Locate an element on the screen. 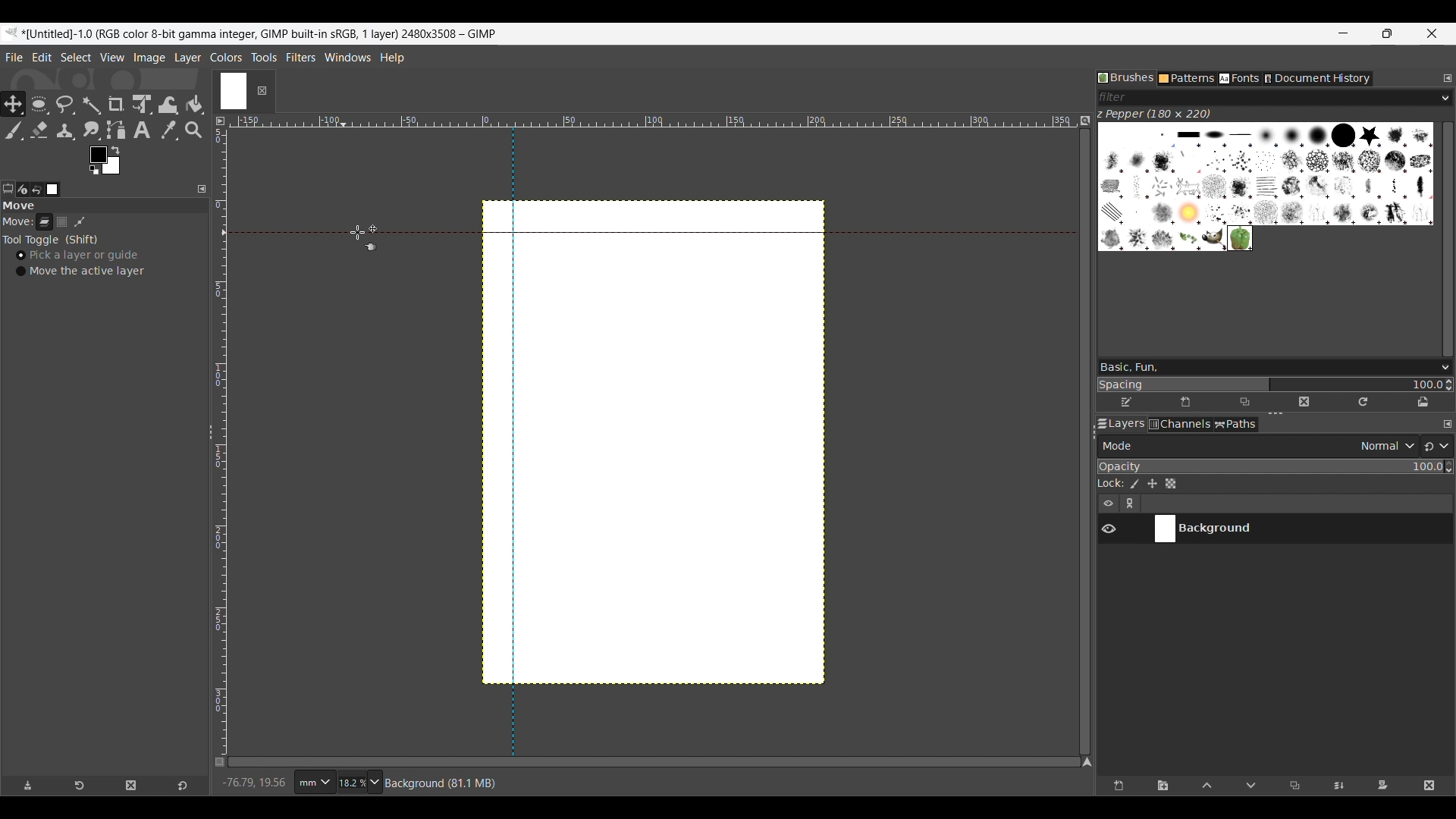  Tool toggle options is located at coordinates (50, 240).